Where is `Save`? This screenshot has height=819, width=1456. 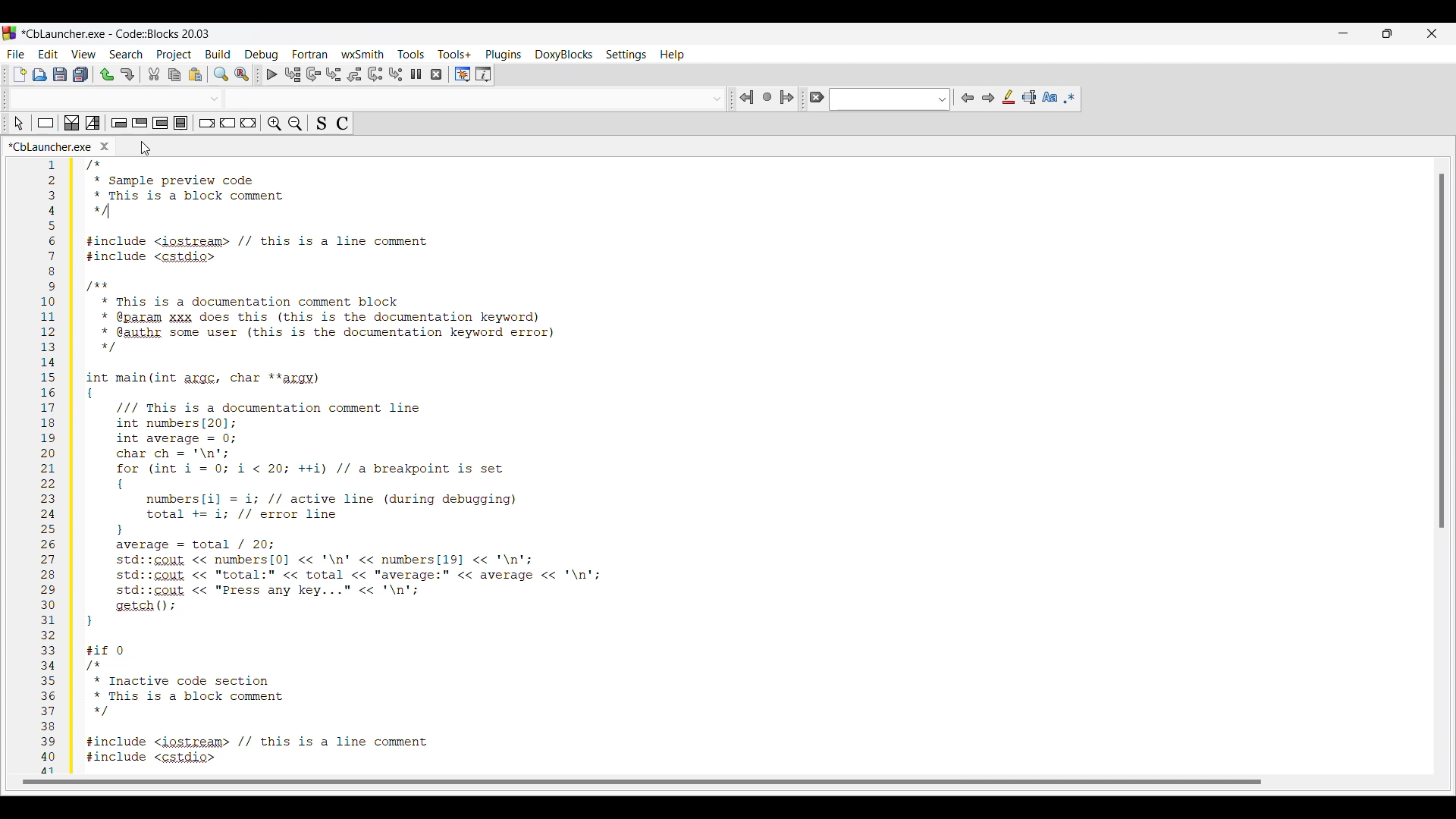
Save is located at coordinates (60, 74).